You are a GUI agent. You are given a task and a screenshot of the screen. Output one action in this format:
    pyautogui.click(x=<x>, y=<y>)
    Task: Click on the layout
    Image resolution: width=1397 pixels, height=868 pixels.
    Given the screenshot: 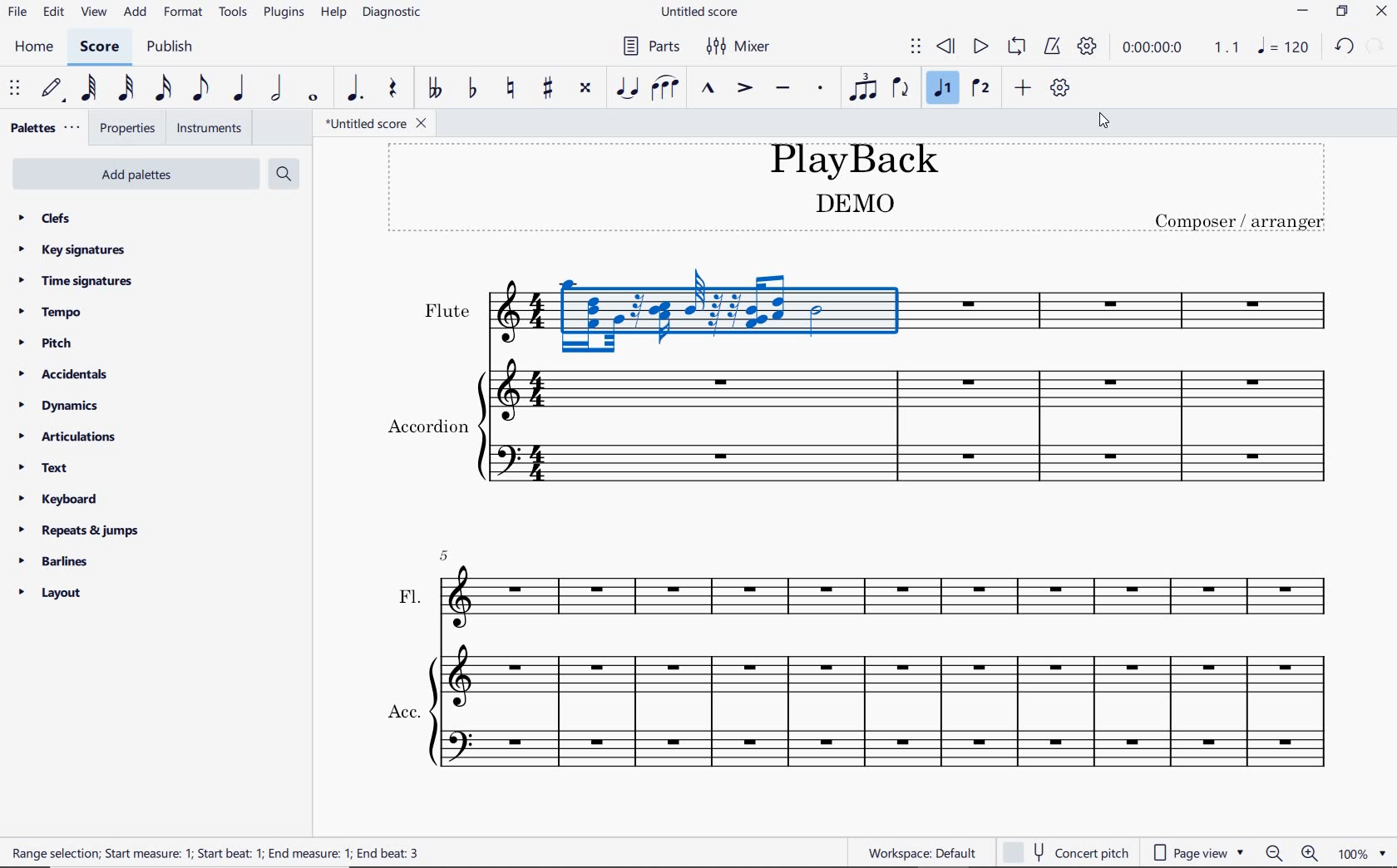 What is the action you would take?
    pyautogui.click(x=52, y=591)
    